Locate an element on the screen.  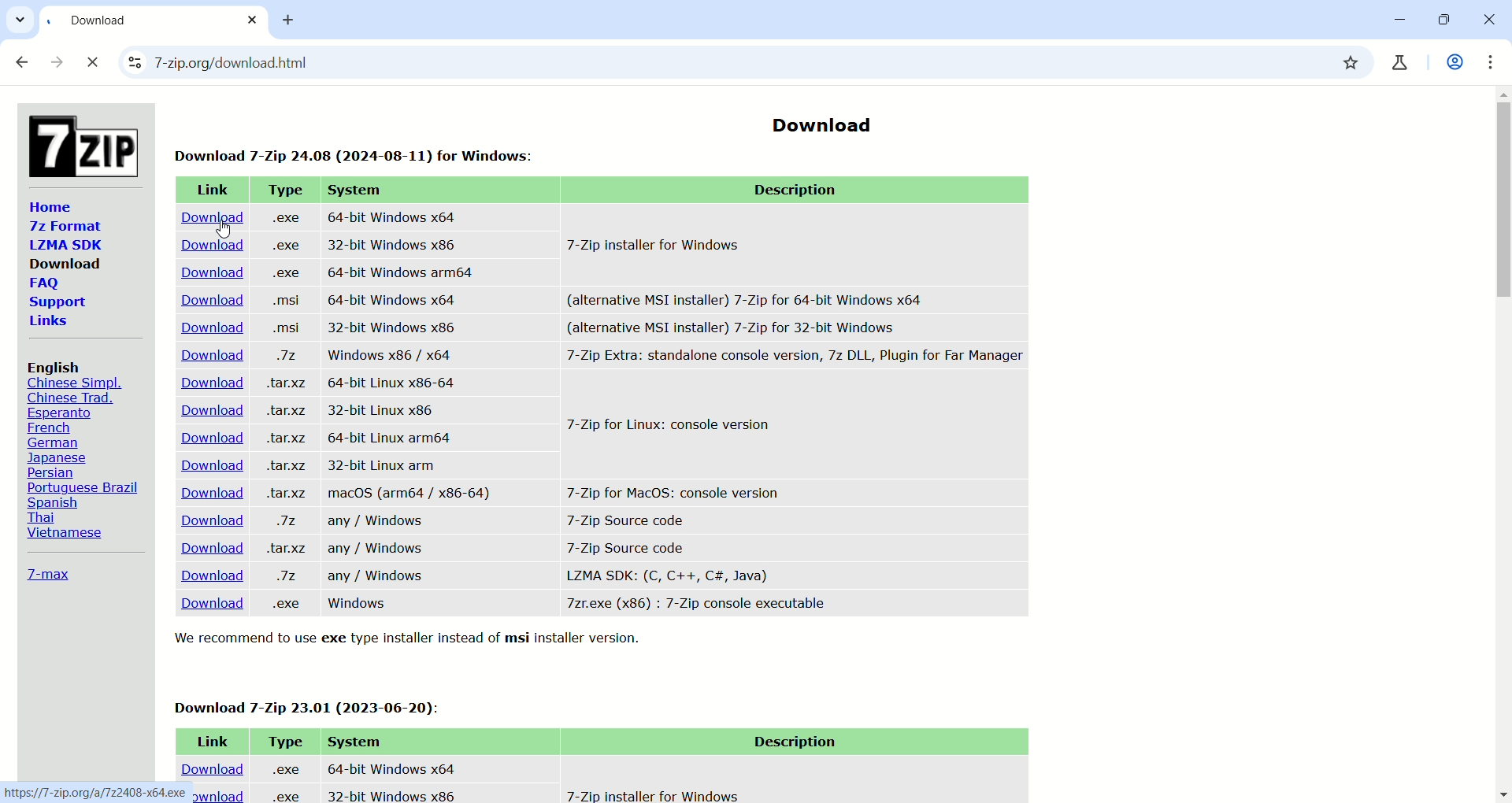
7-Zip Extra: standalone console version, 7z DLL, Plugin for Far Manager is located at coordinates (794, 358).